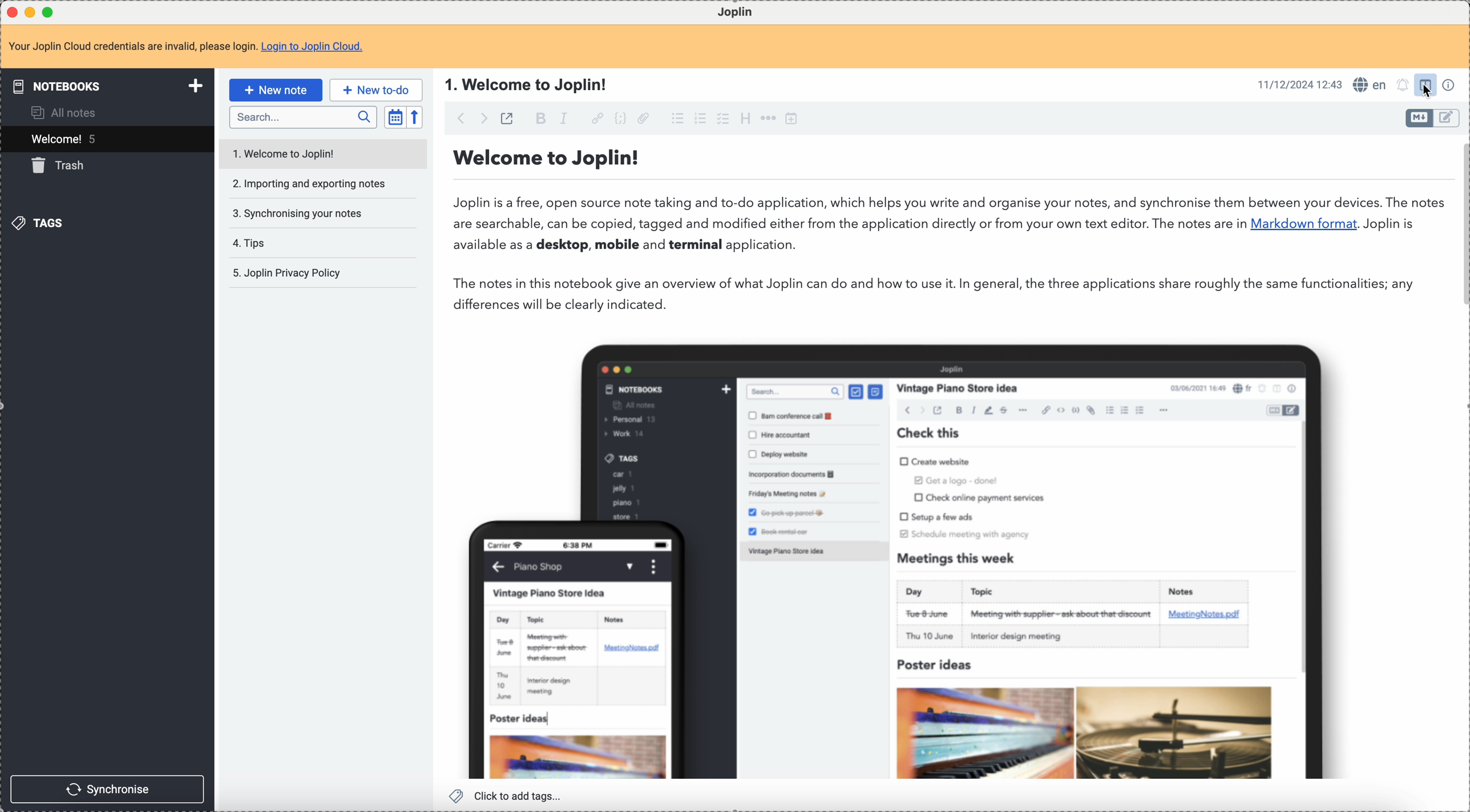 The image size is (1470, 812). Describe the element at coordinates (1415, 119) in the screenshot. I see `toggle editor` at that location.